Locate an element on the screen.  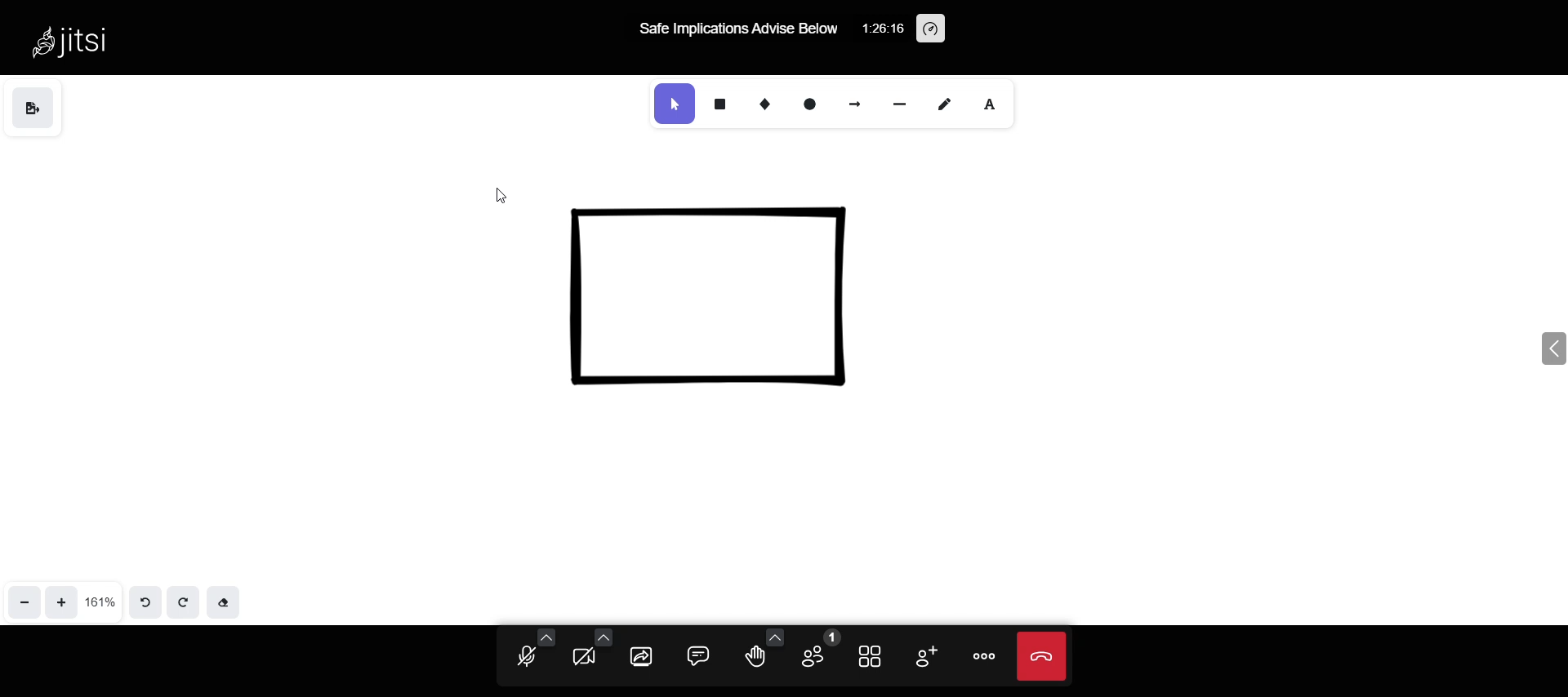
zoom out is located at coordinates (20, 604).